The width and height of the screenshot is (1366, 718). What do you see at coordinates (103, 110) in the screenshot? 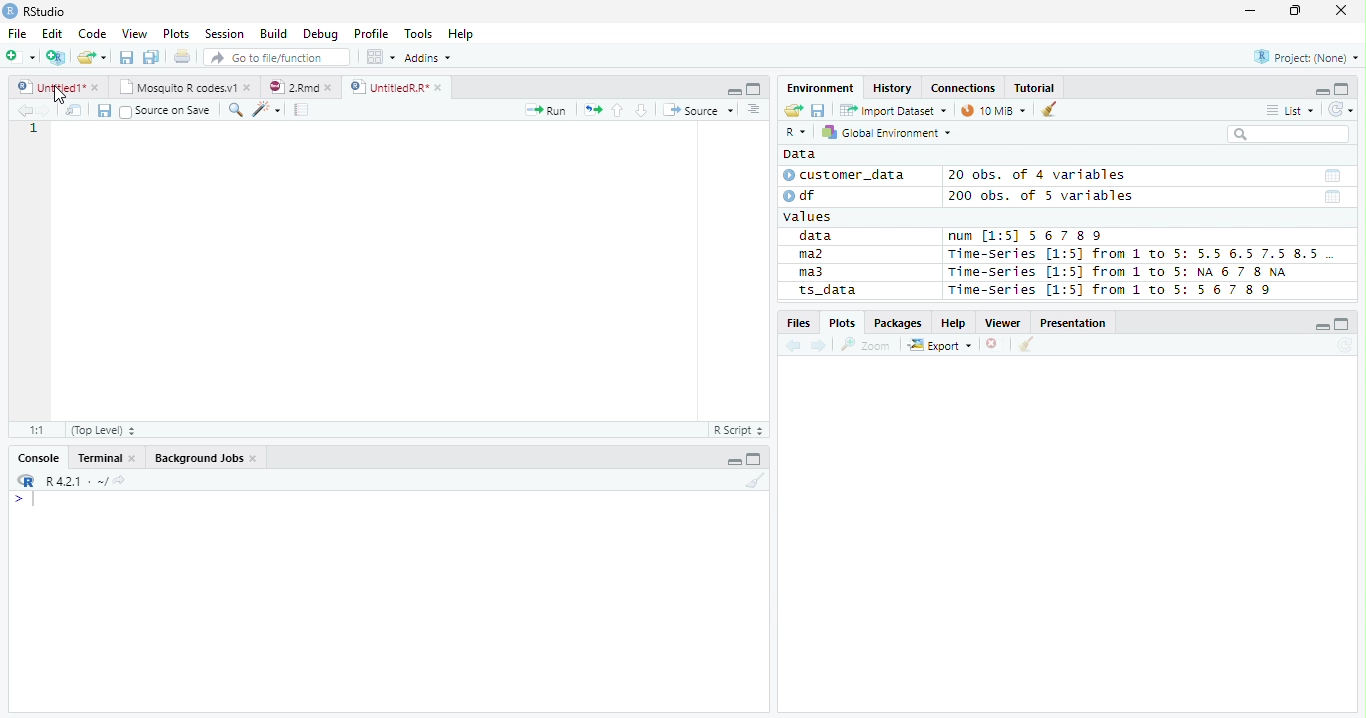
I see `Save` at bounding box center [103, 110].